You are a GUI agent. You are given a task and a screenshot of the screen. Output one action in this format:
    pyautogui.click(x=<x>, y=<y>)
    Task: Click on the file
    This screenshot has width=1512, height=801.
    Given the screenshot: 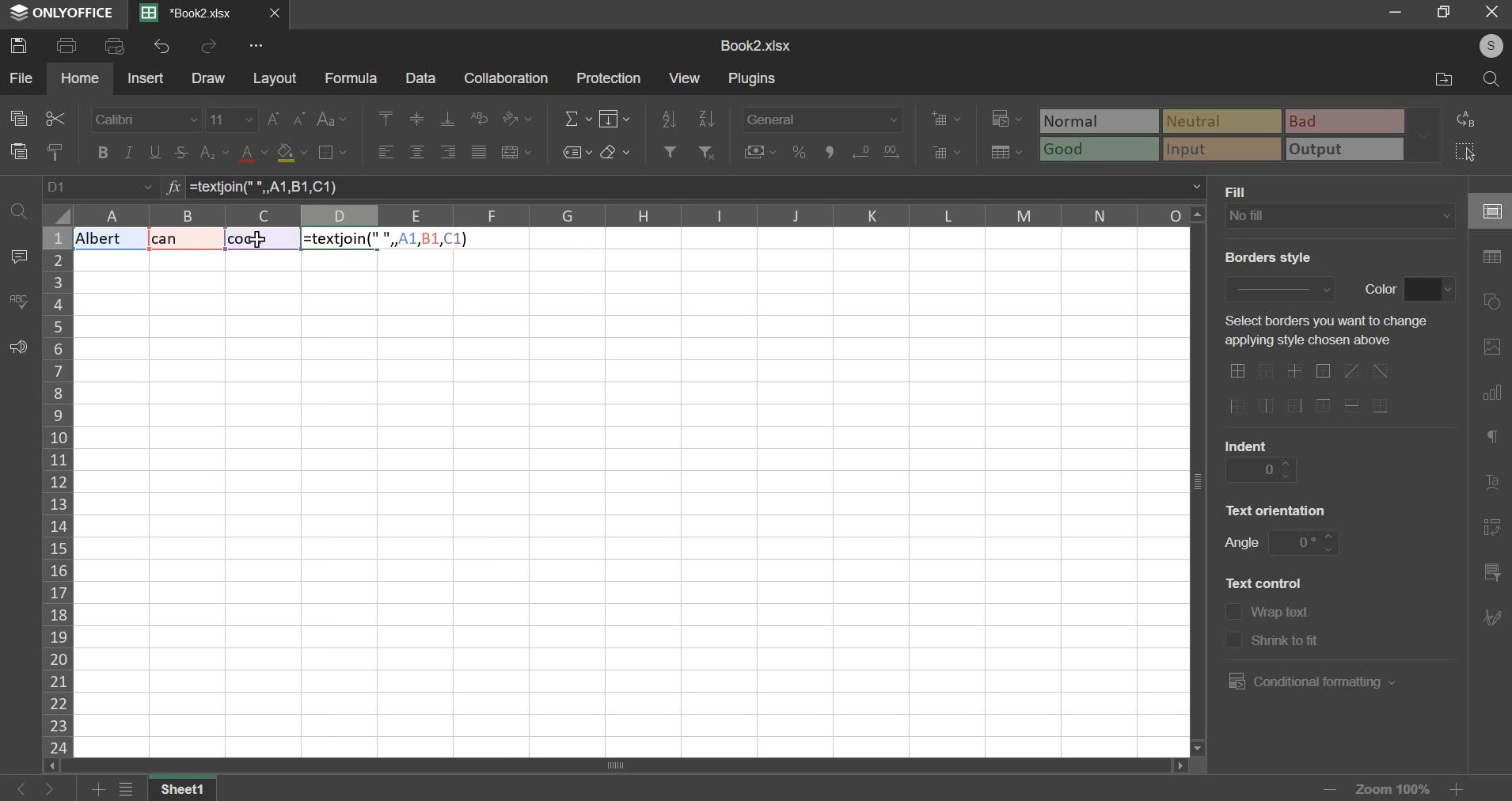 What is the action you would take?
    pyautogui.click(x=21, y=77)
    